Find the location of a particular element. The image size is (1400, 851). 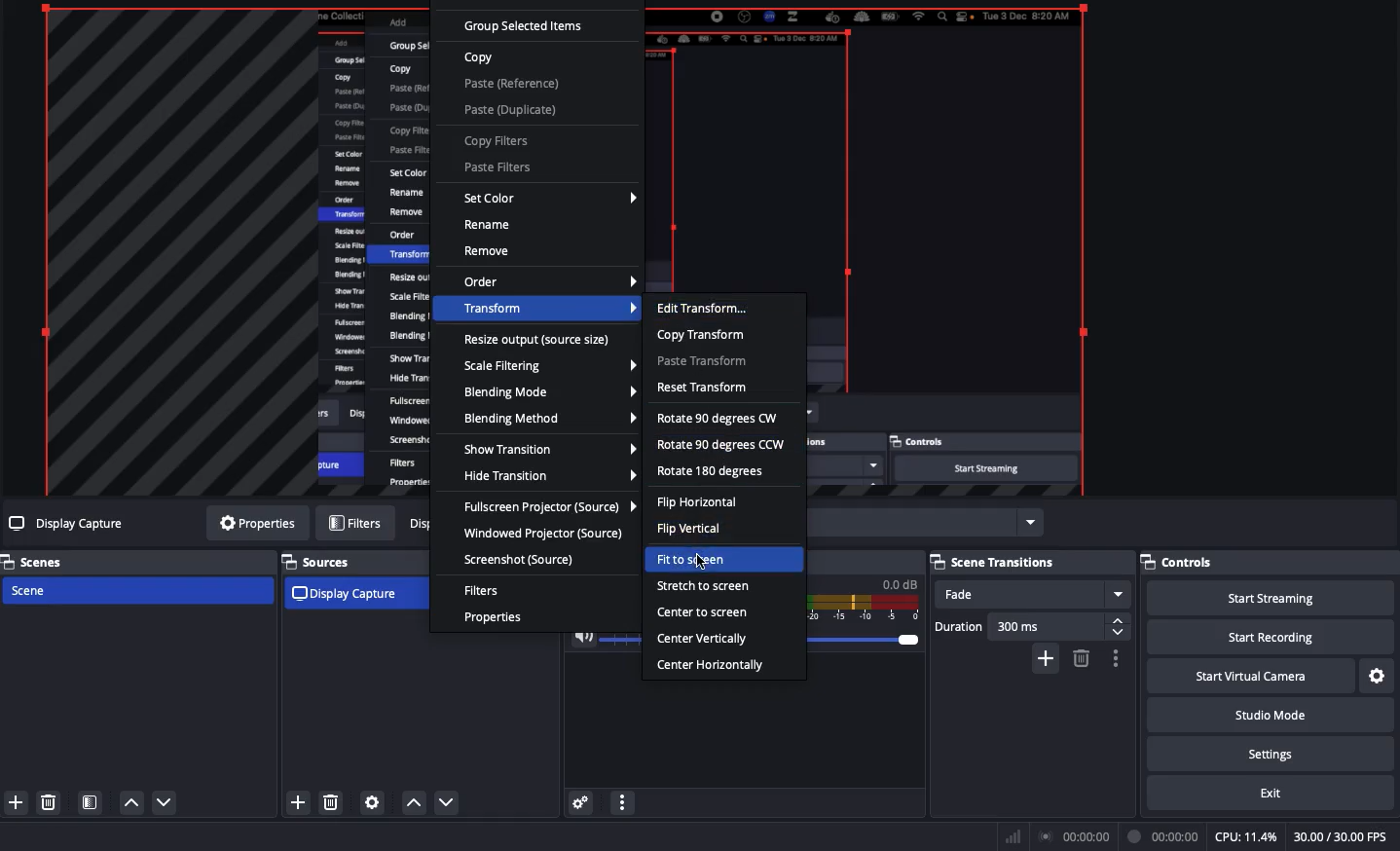

Audio preferences is located at coordinates (584, 803).